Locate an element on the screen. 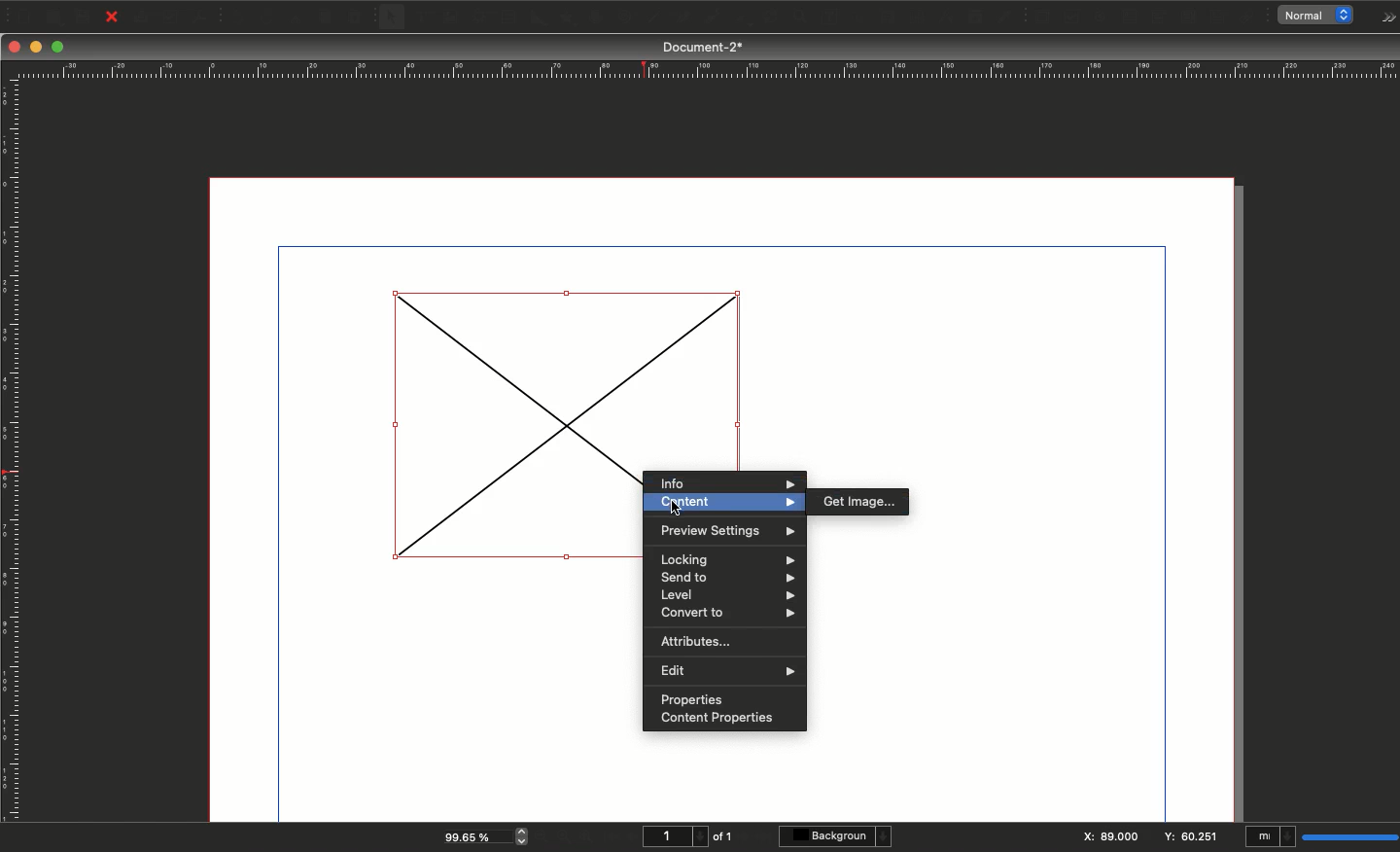 This screenshot has width=1400, height=852. Send to is located at coordinates (726, 578).